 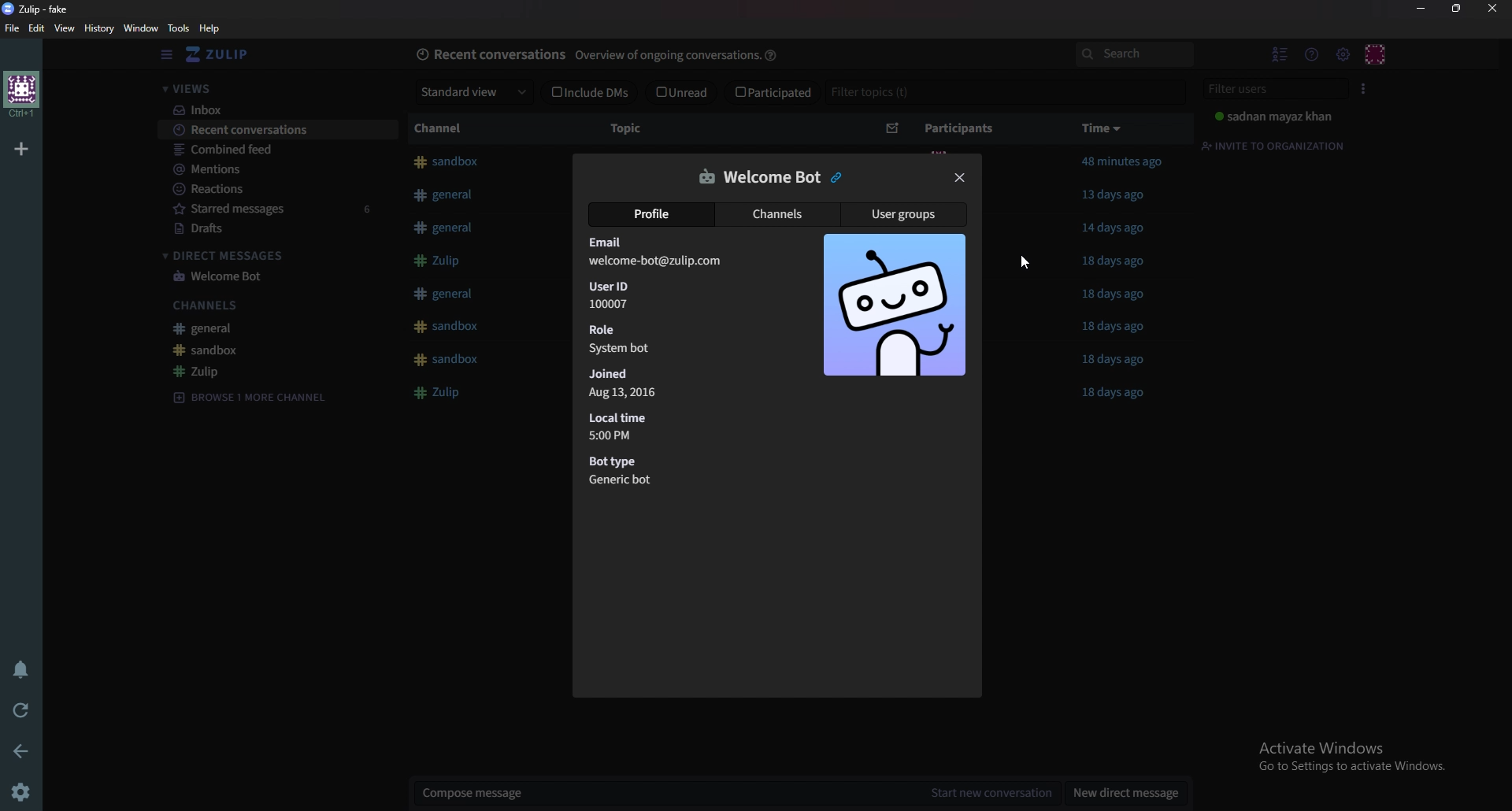 I want to click on welcome bot, so click(x=759, y=177).